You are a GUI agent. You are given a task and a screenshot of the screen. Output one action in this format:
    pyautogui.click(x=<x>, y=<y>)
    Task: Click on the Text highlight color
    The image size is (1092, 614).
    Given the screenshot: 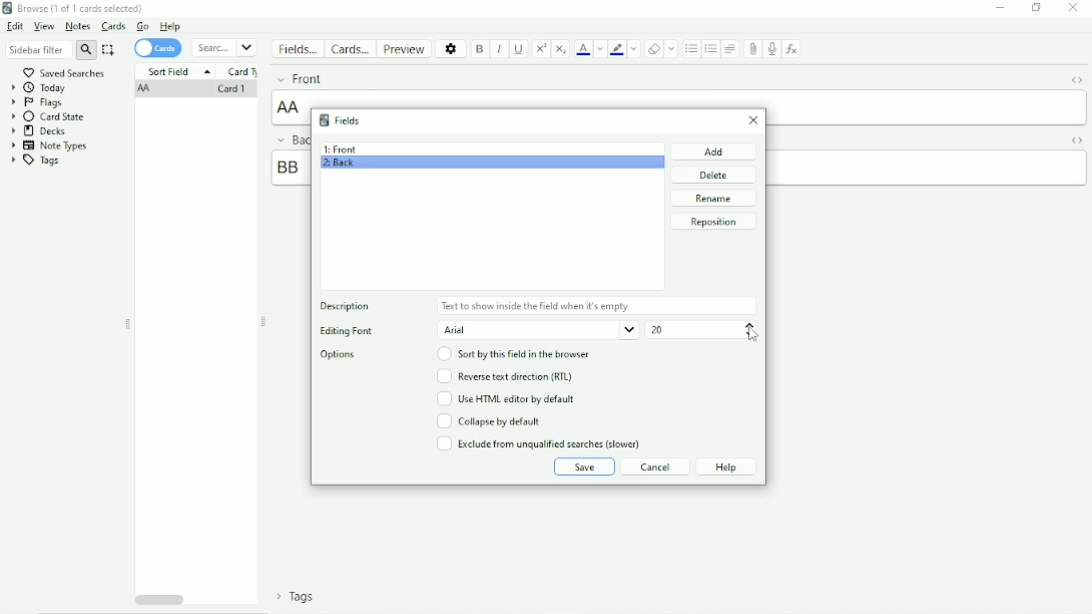 What is the action you would take?
    pyautogui.click(x=617, y=49)
    